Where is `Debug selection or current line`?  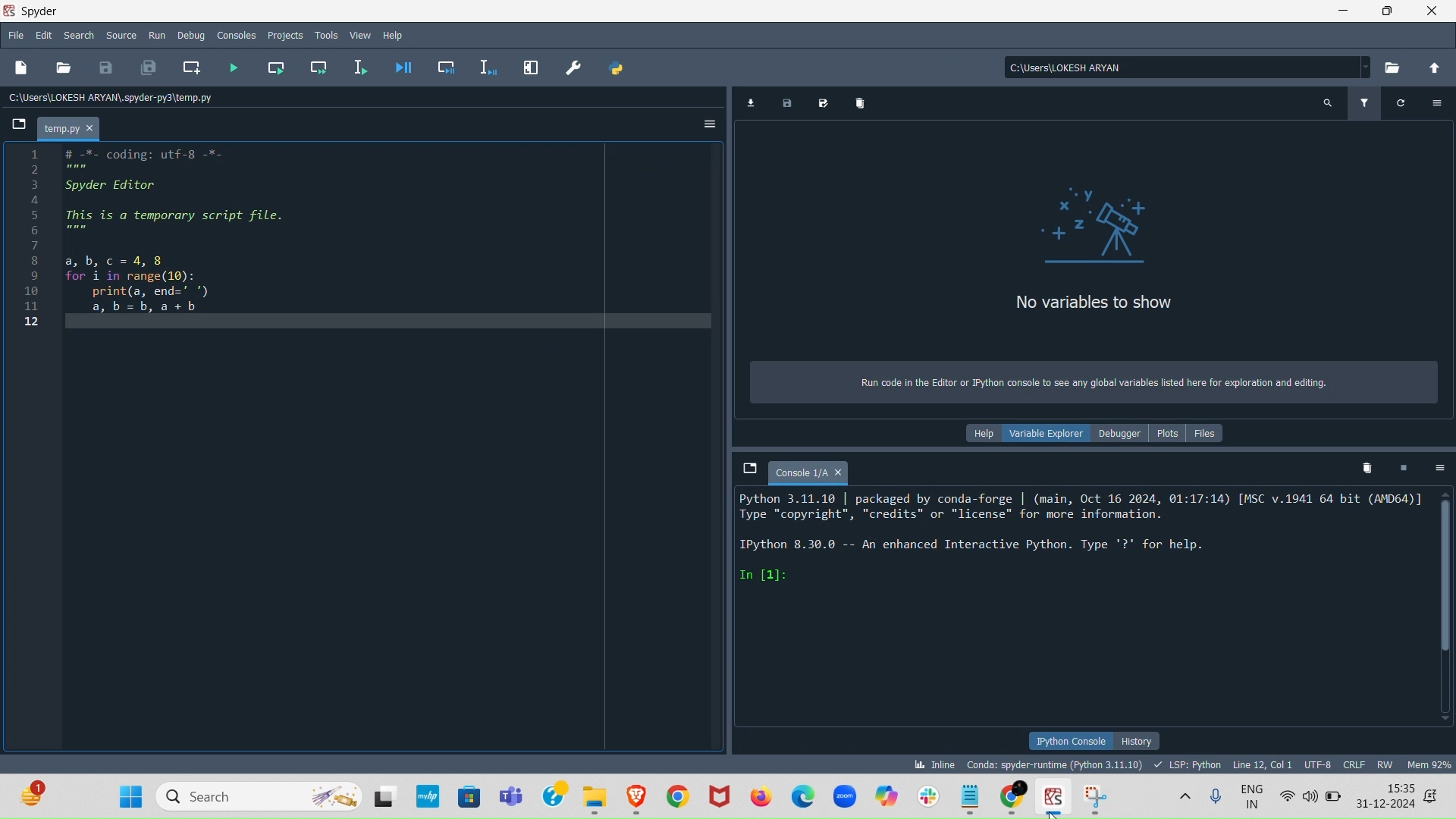
Debug selection or current line is located at coordinates (491, 64).